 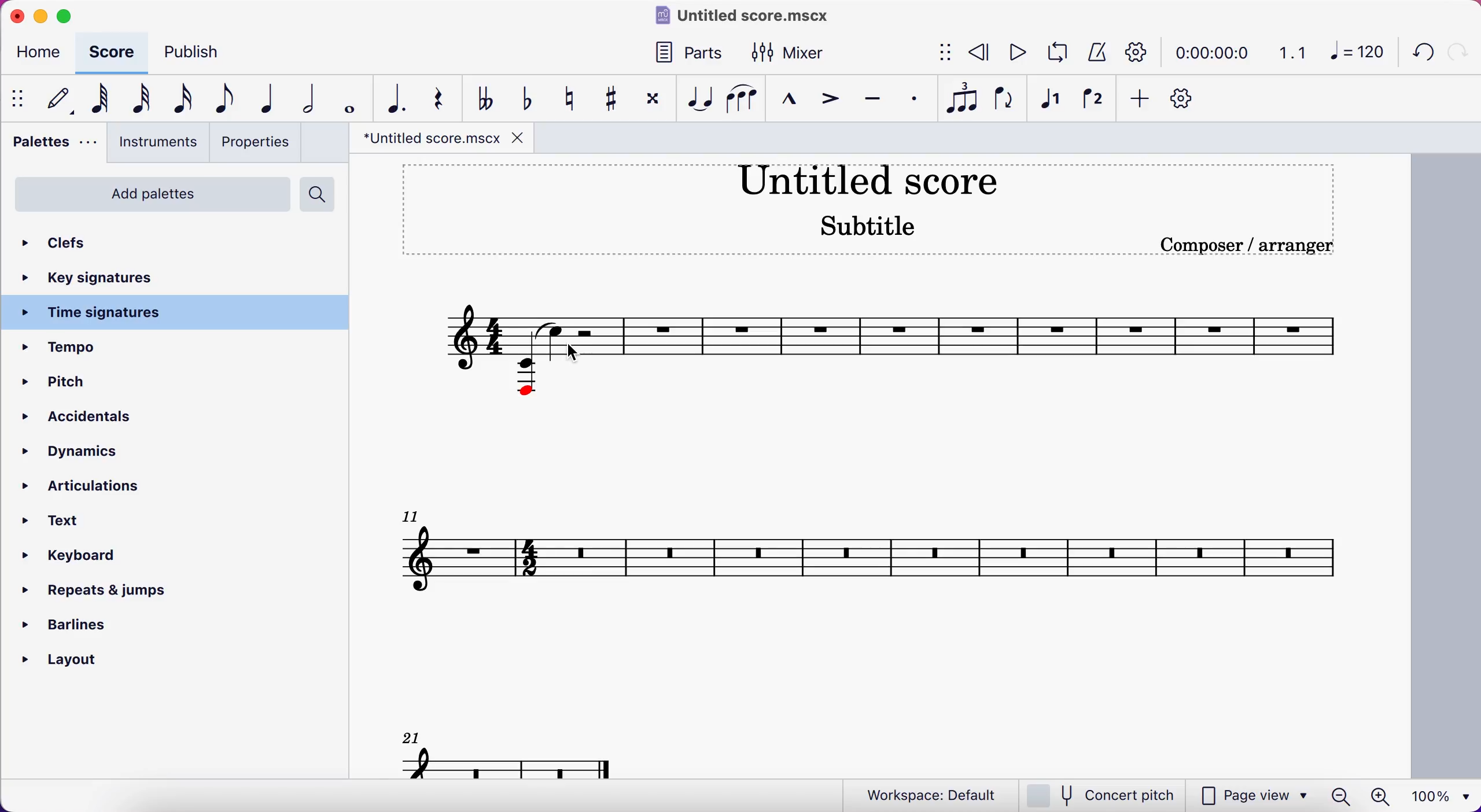 I want to click on instruments, so click(x=159, y=145).